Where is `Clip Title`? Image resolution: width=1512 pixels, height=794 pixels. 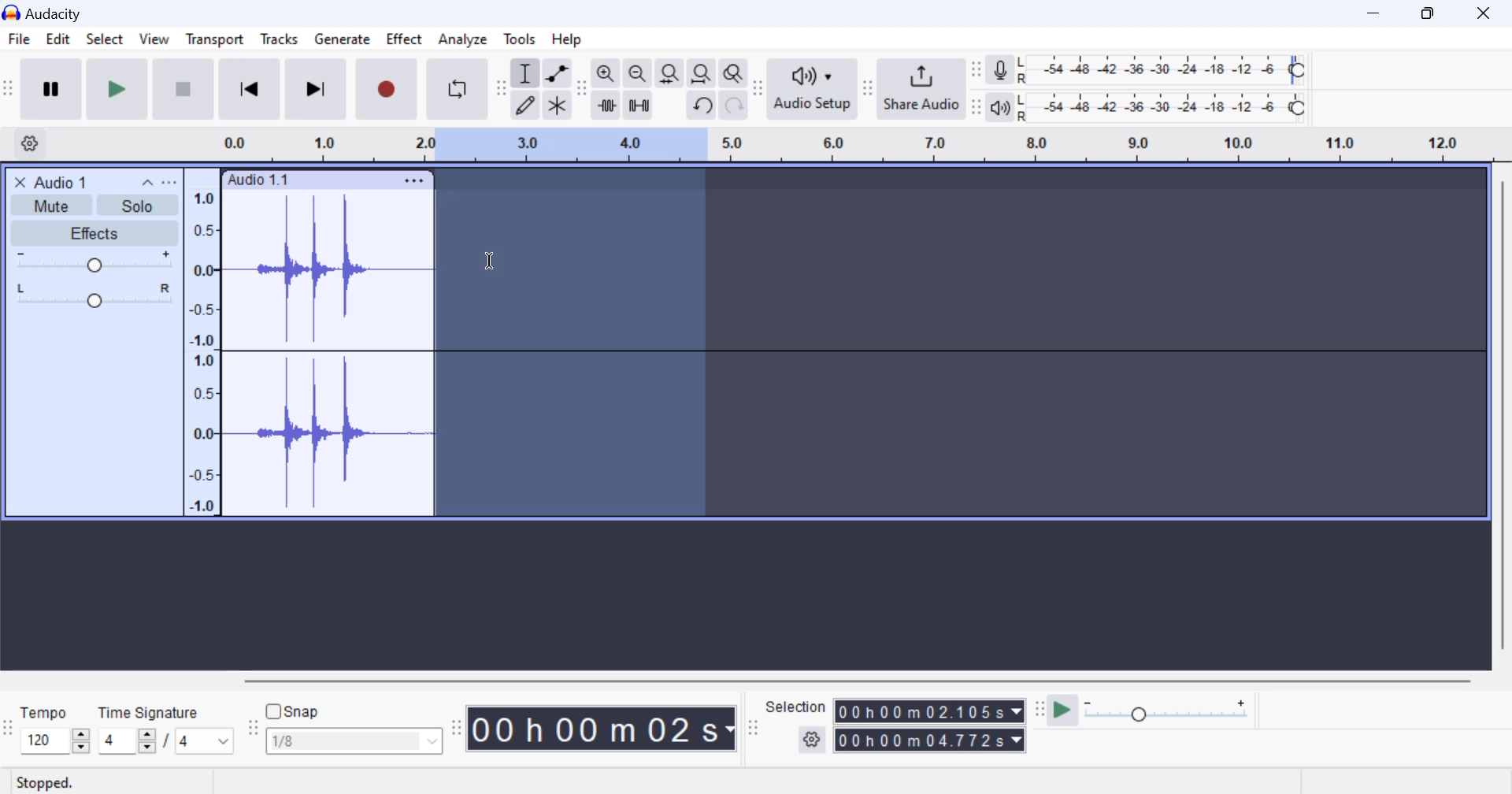
Clip Title is located at coordinates (68, 181).